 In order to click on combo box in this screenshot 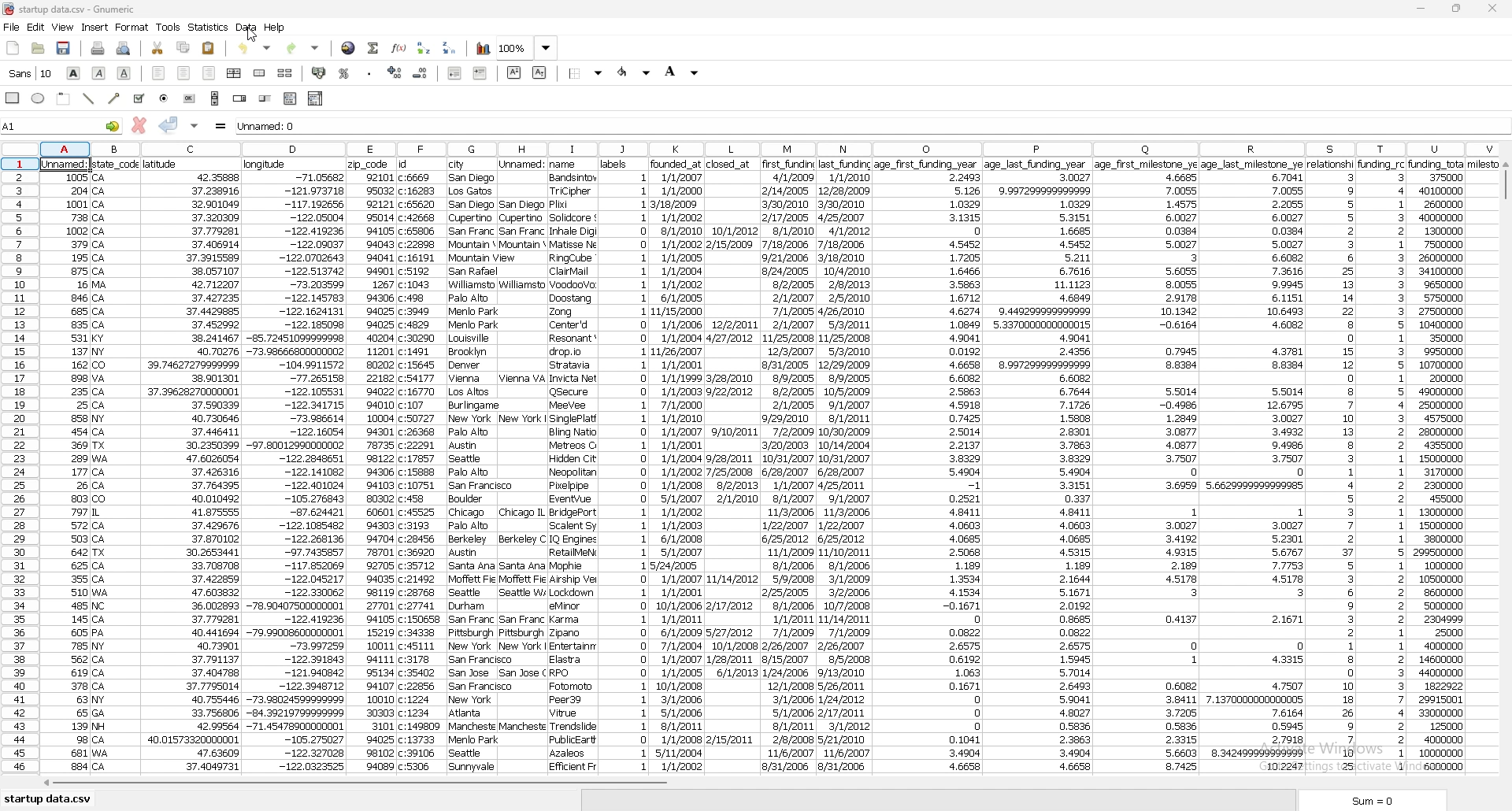, I will do `click(317, 98)`.